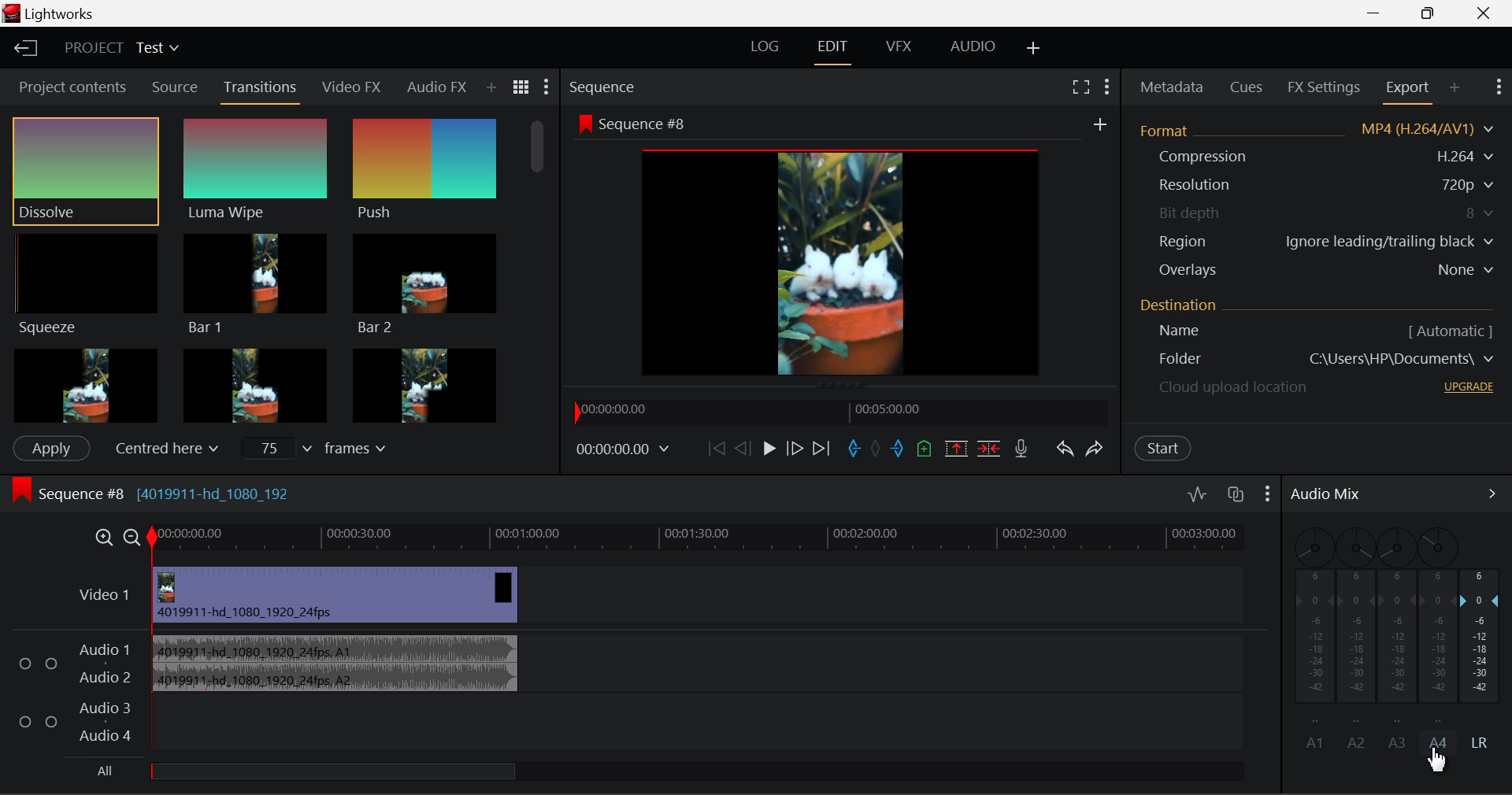  I want to click on cloud upload location - upgrade, so click(1315, 386).